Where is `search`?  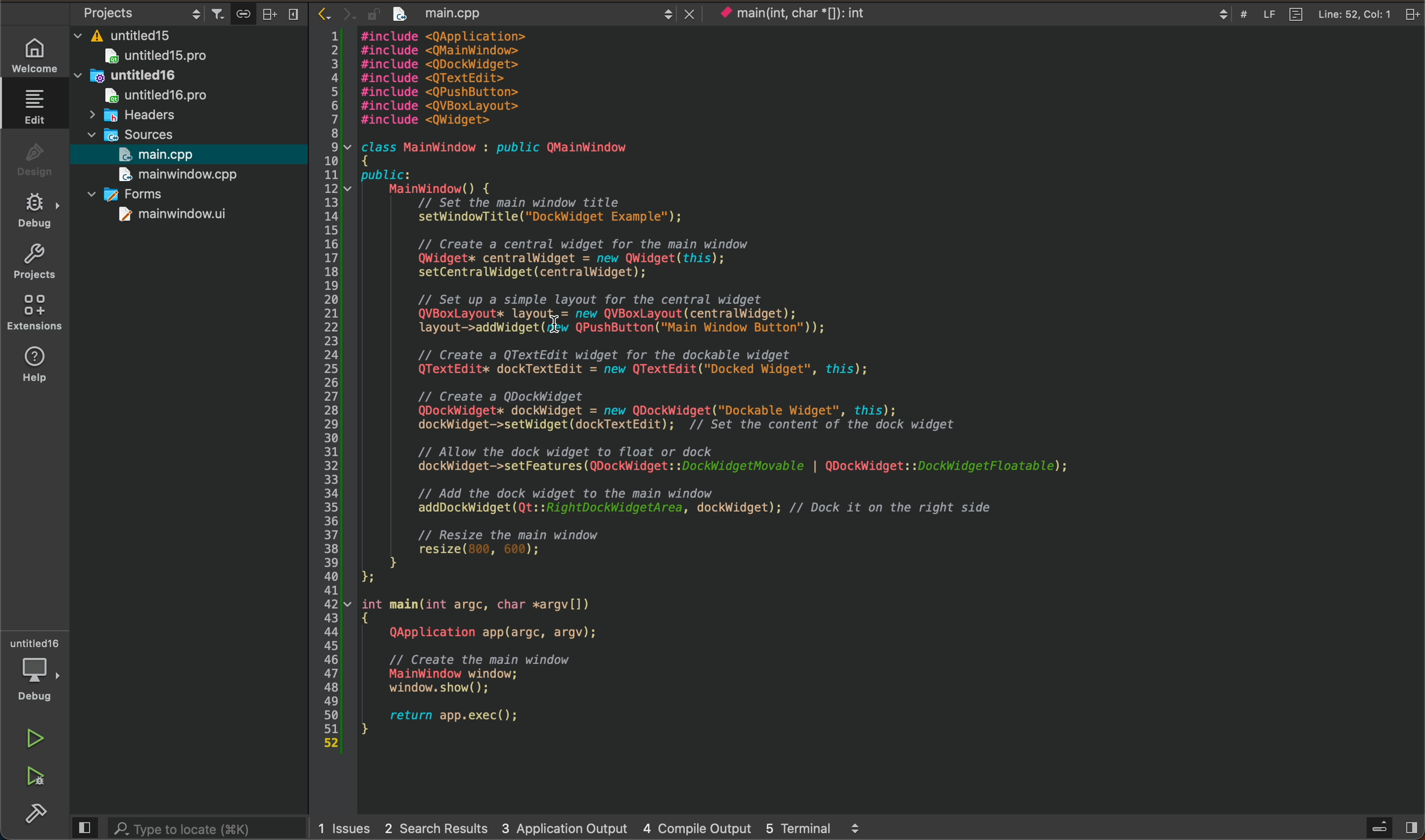
search is located at coordinates (208, 828).